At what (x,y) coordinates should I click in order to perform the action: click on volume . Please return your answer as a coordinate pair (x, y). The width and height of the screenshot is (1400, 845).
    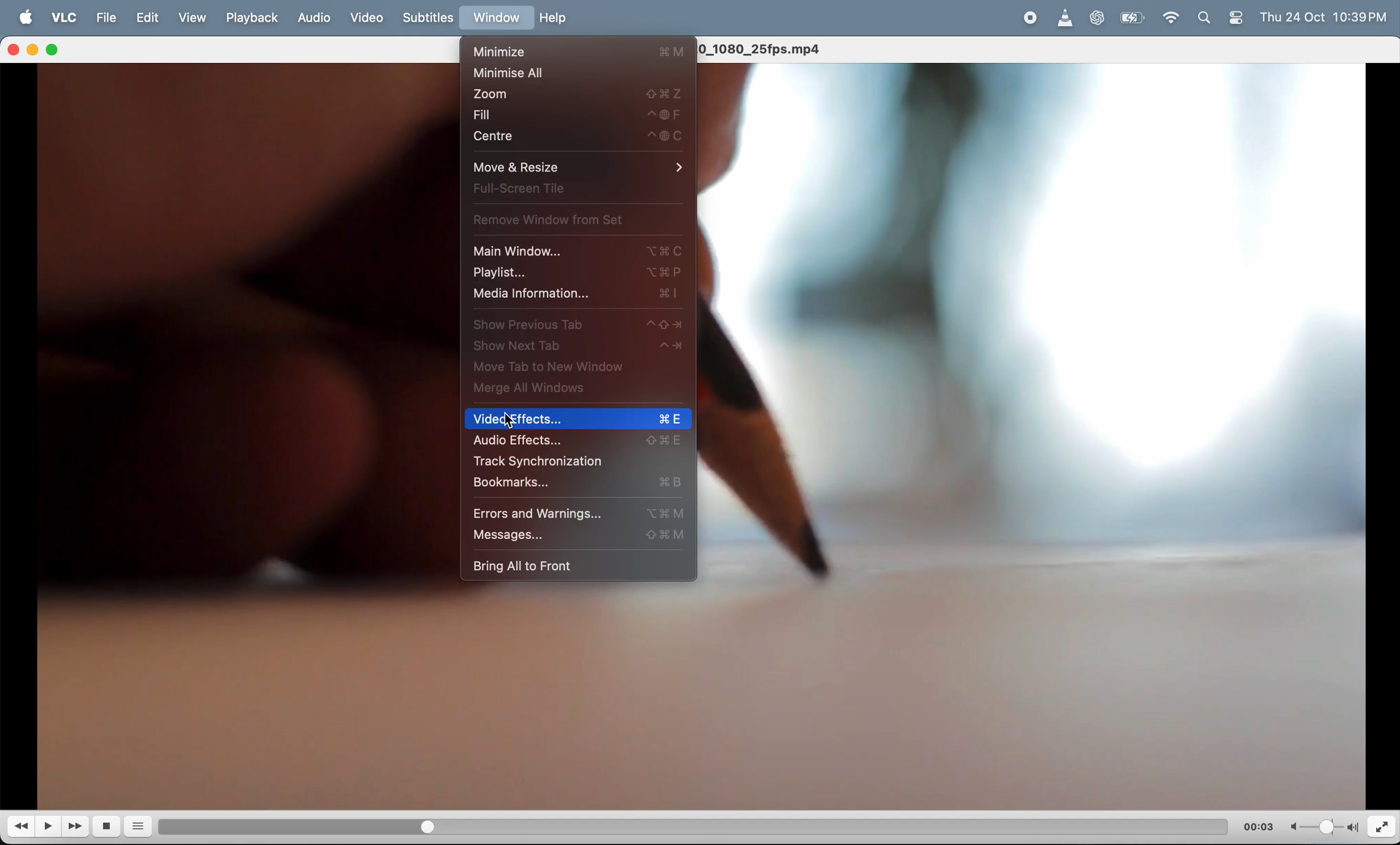
    Looking at the image, I should click on (1322, 826).